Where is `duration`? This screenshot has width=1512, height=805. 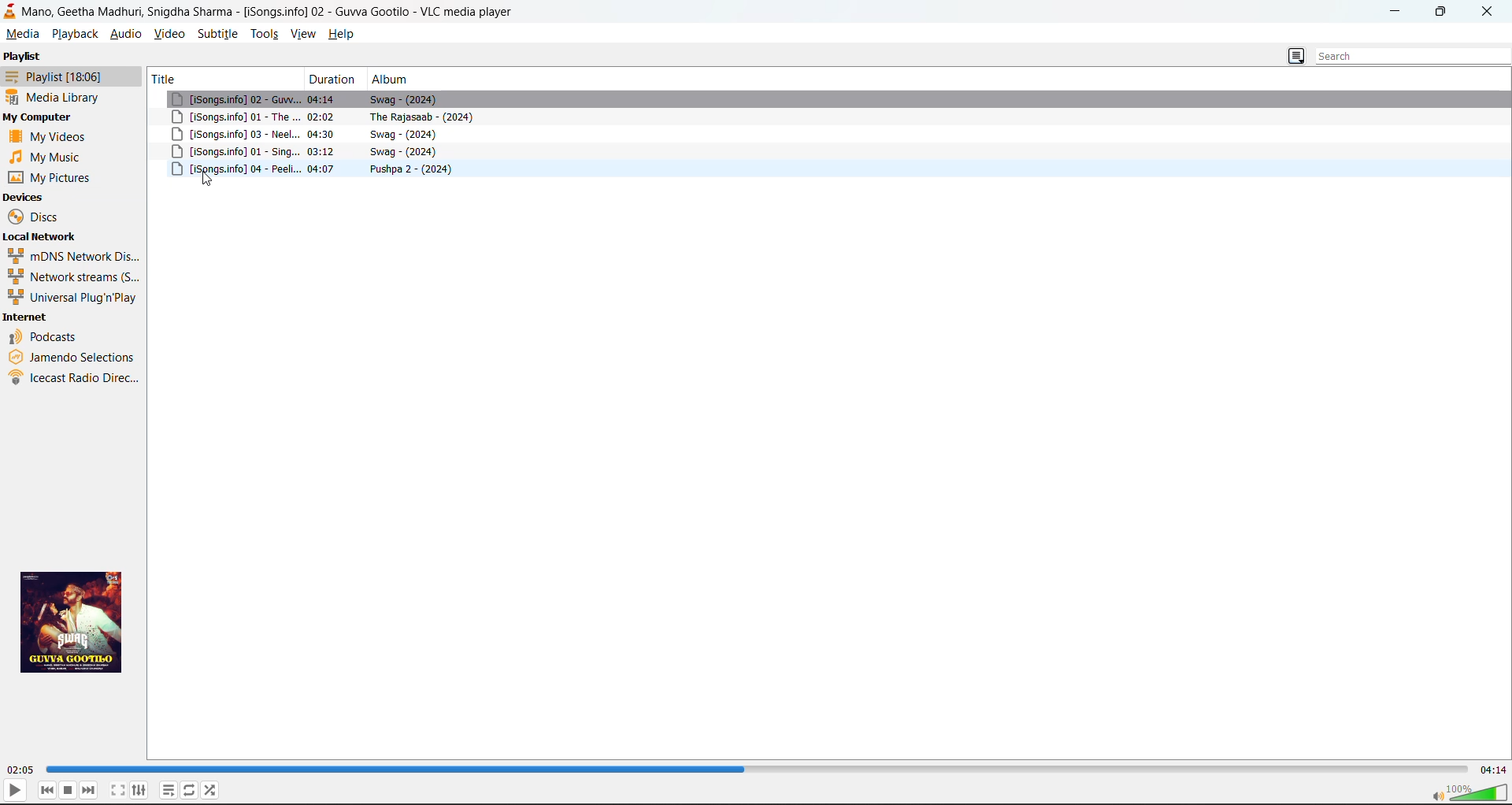 duration is located at coordinates (334, 80).